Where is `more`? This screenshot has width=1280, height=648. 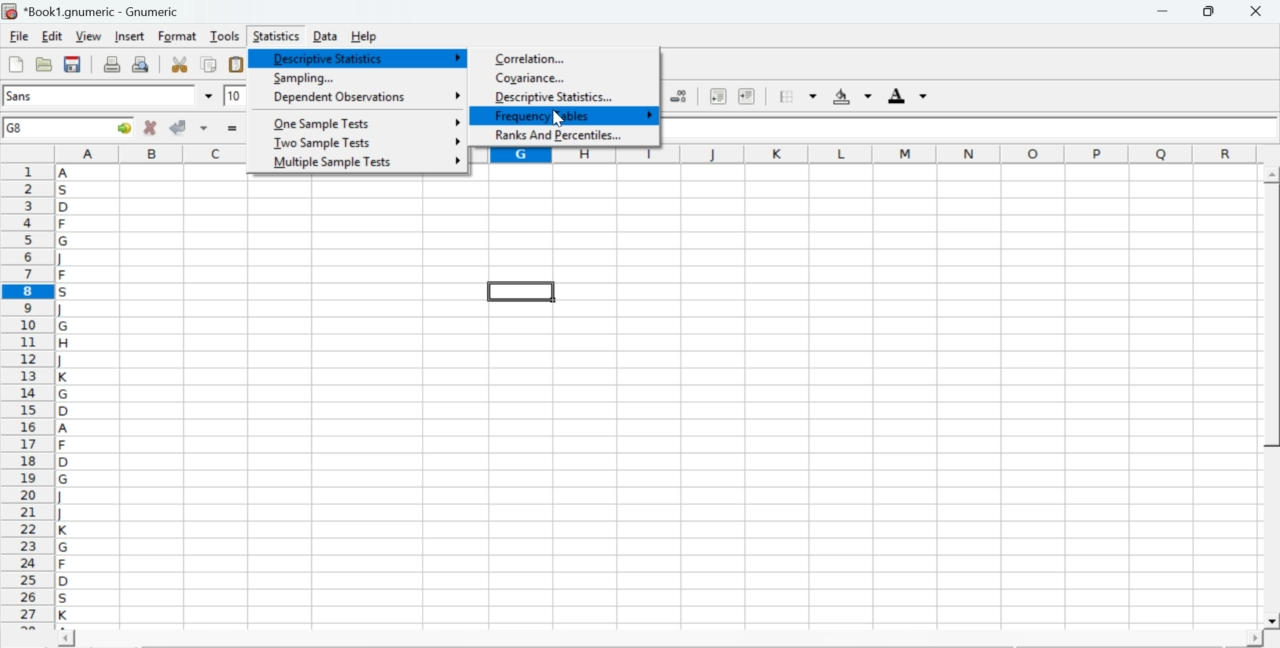 more is located at coordinates (457, 160).